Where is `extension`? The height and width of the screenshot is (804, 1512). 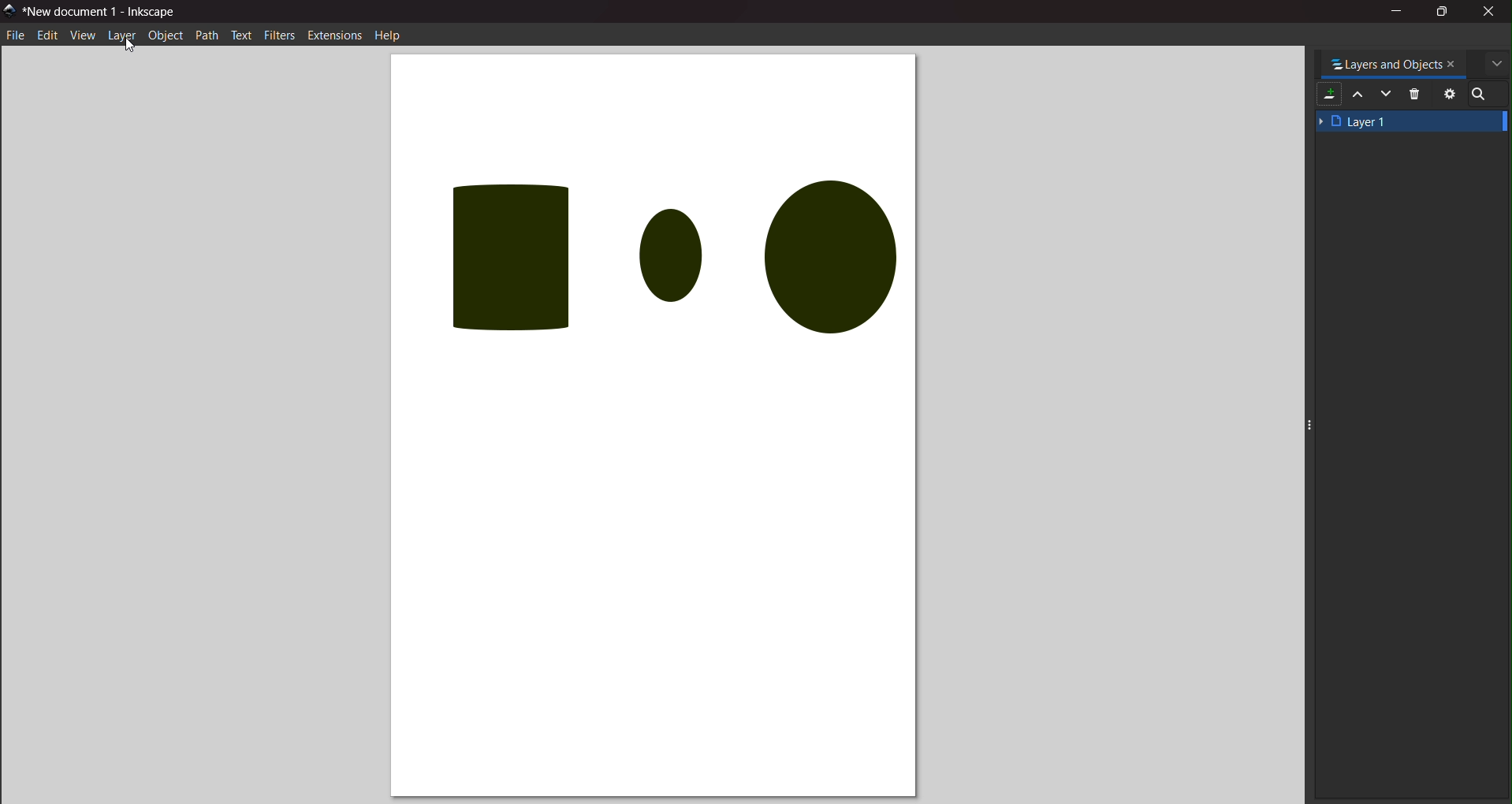
extension is located at coordinates (335, 35).